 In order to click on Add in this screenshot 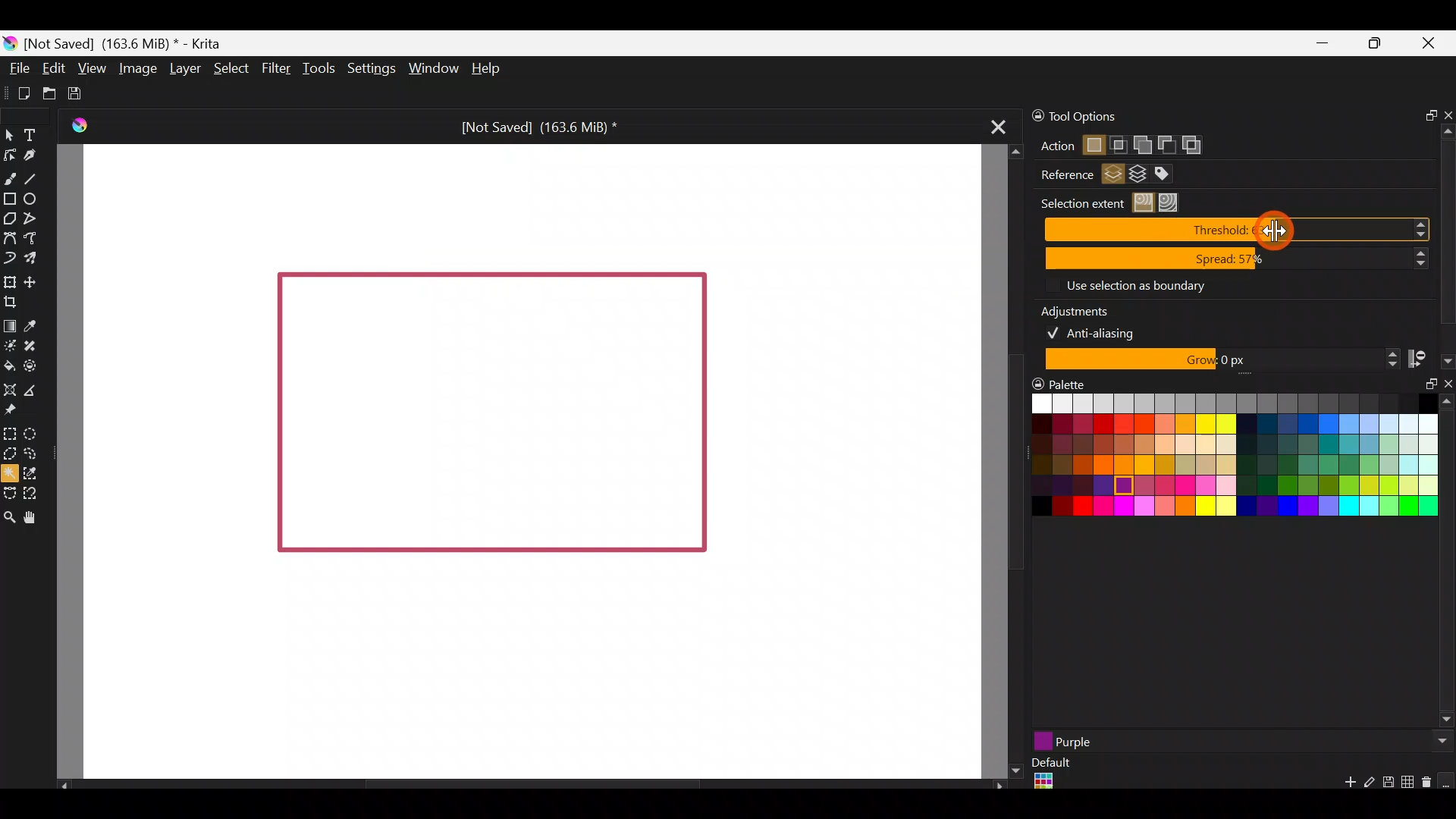, I will do `click(1141, 142)`.